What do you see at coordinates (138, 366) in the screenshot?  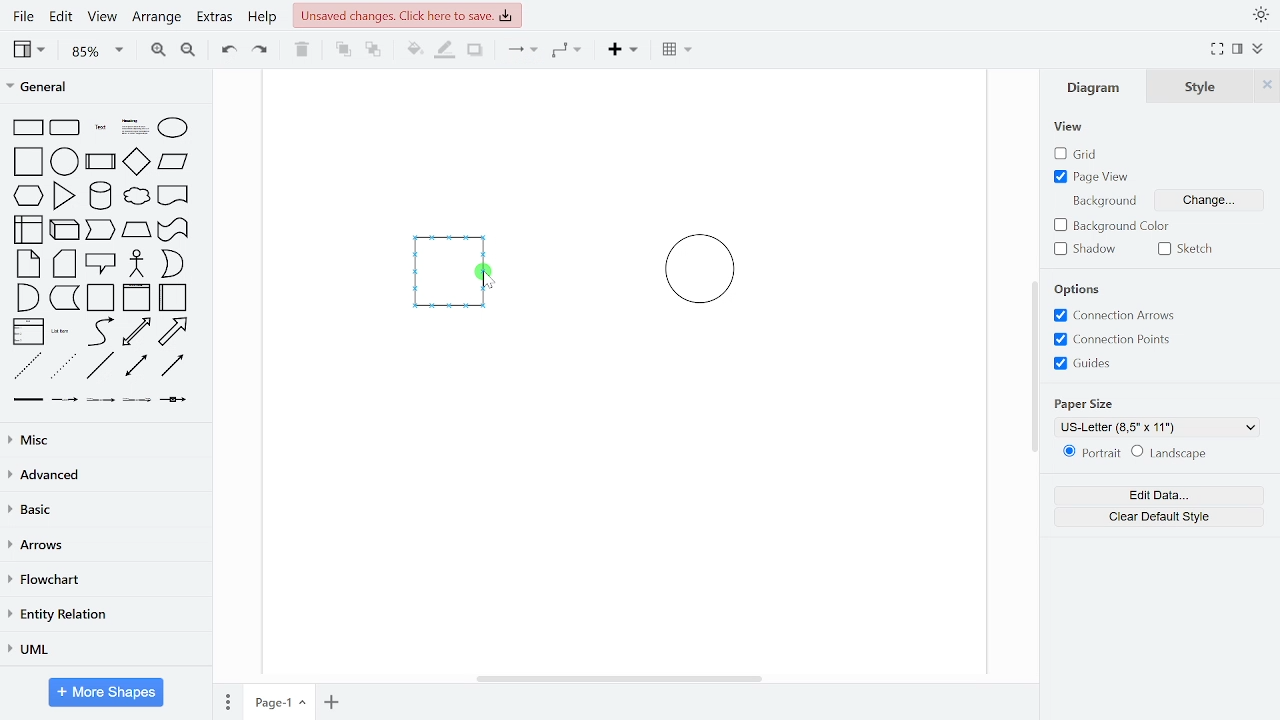 I see `bidirectional connector` at bounding box center [138, 366].